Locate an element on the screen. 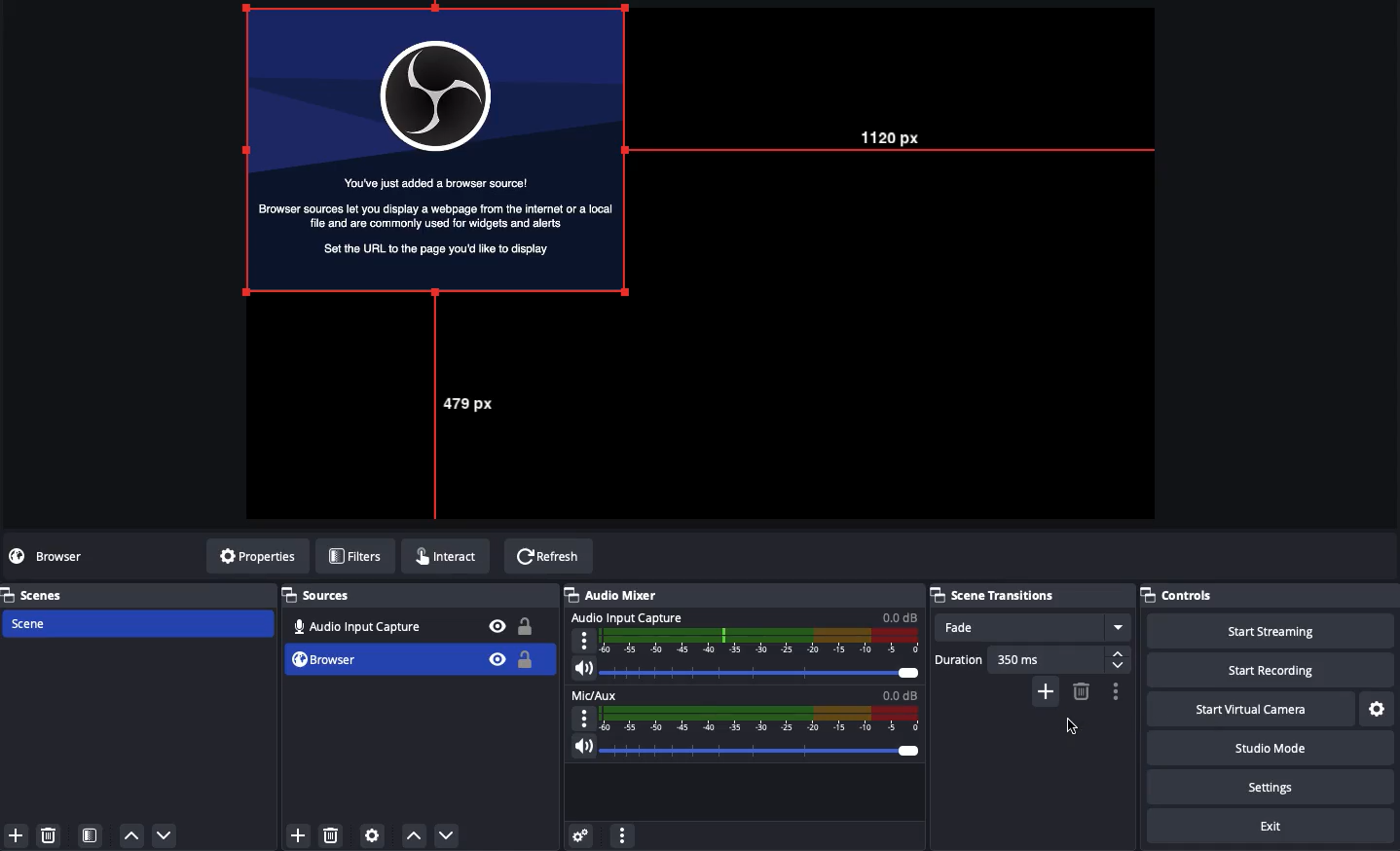 The width and height of the screenshot is (1400, 851). down is located at coordinates (165, 833).